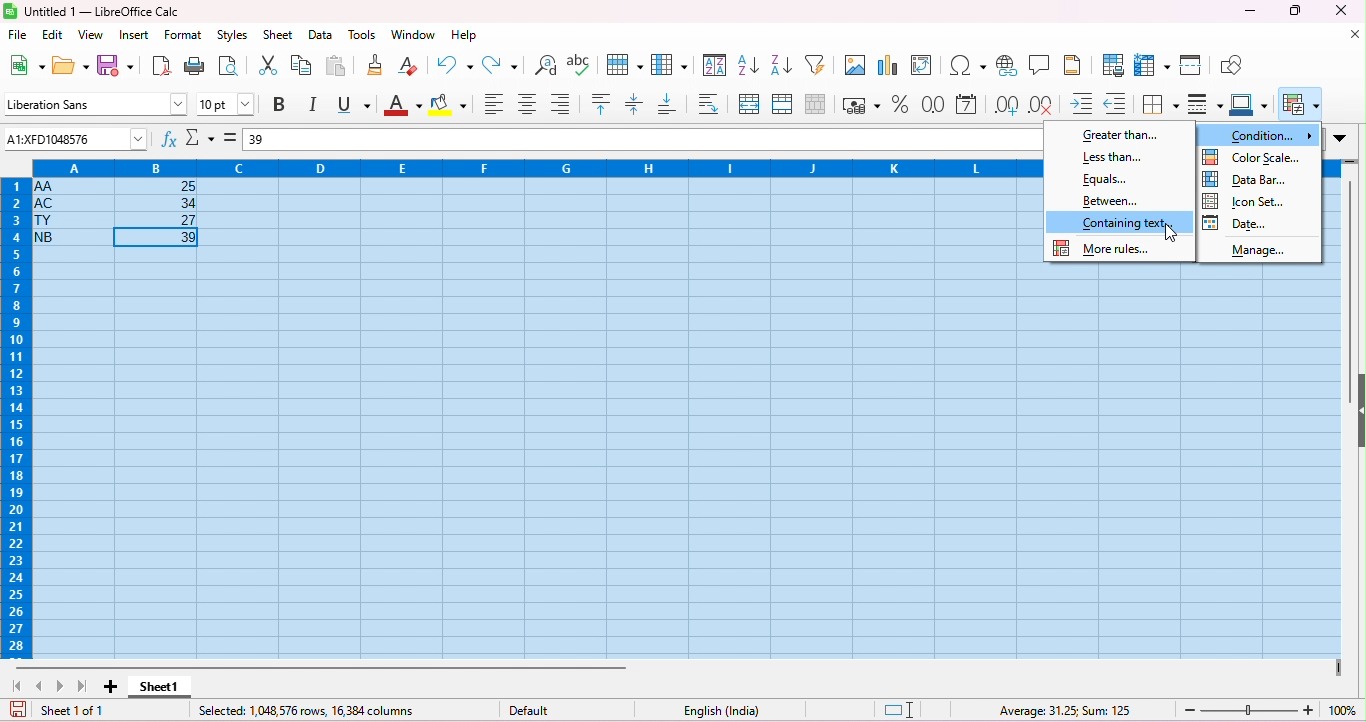 This screenshot has width=1366, height=722. I want to click on font size, so click(226, 104).